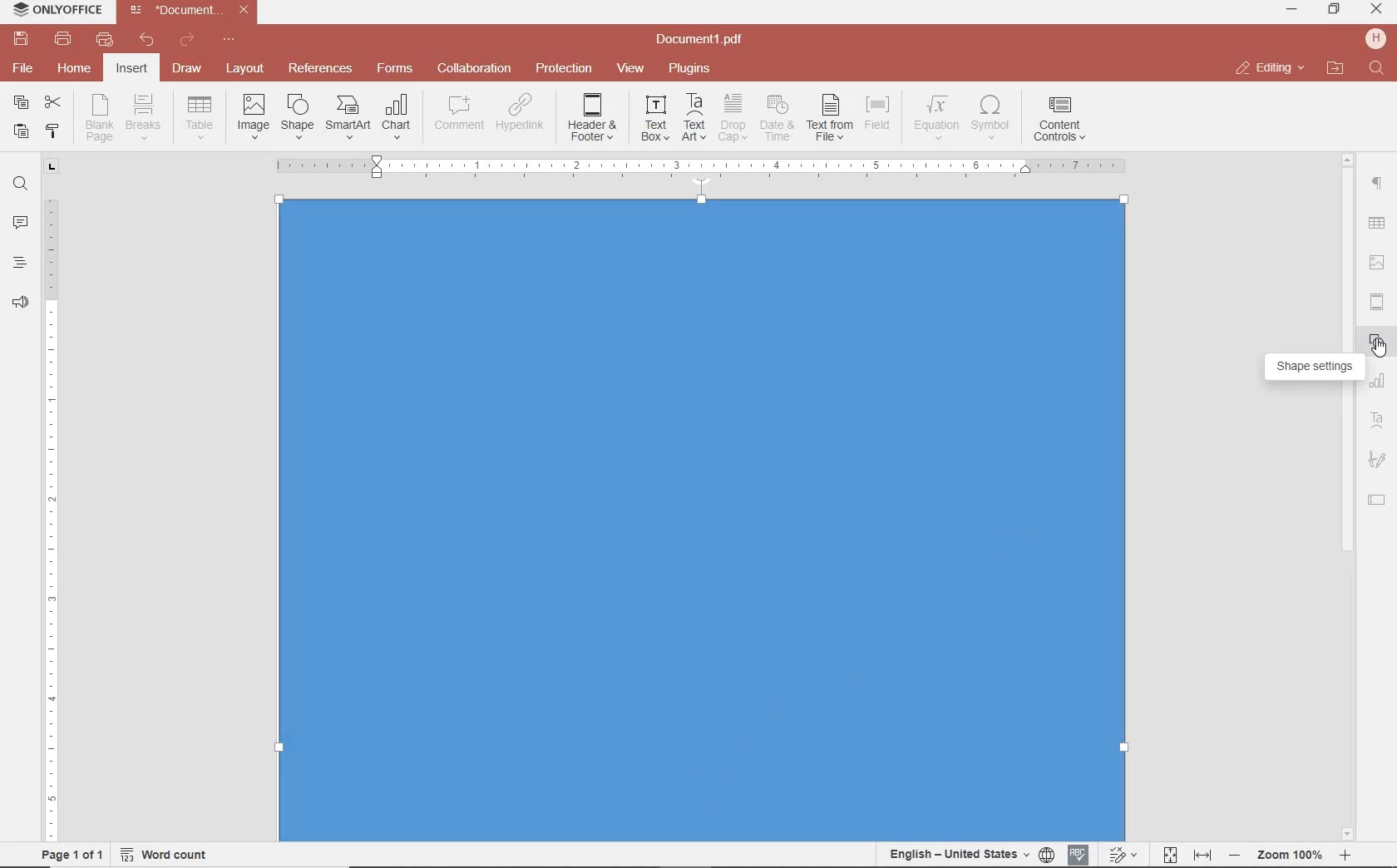 The height and width of the screenshot is (868, 1397). I want to click on INSERT CURRENT DATE AND TIME, so click(775, 119).